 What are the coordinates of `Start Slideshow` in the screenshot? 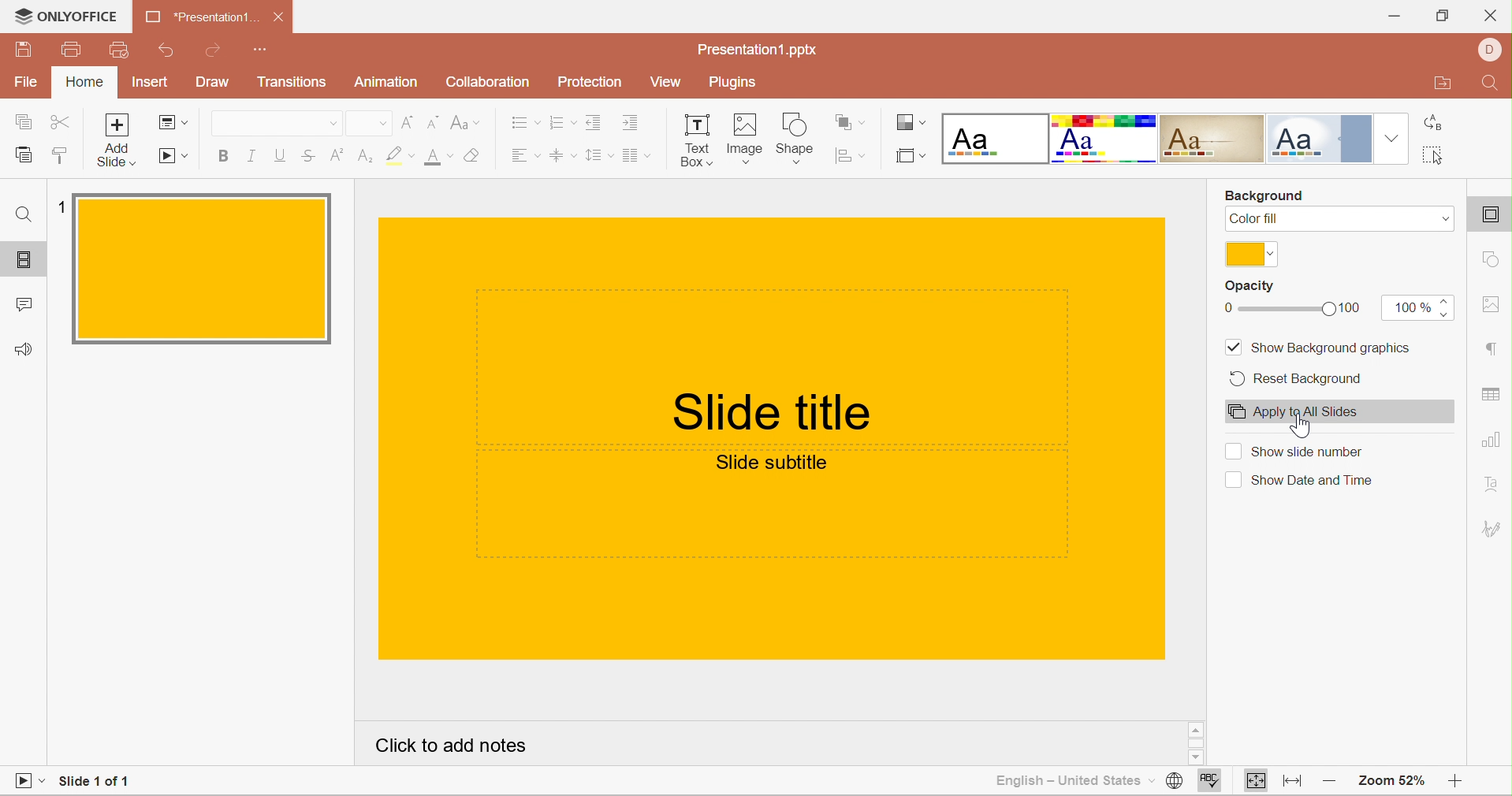 It's located at (174, 156).